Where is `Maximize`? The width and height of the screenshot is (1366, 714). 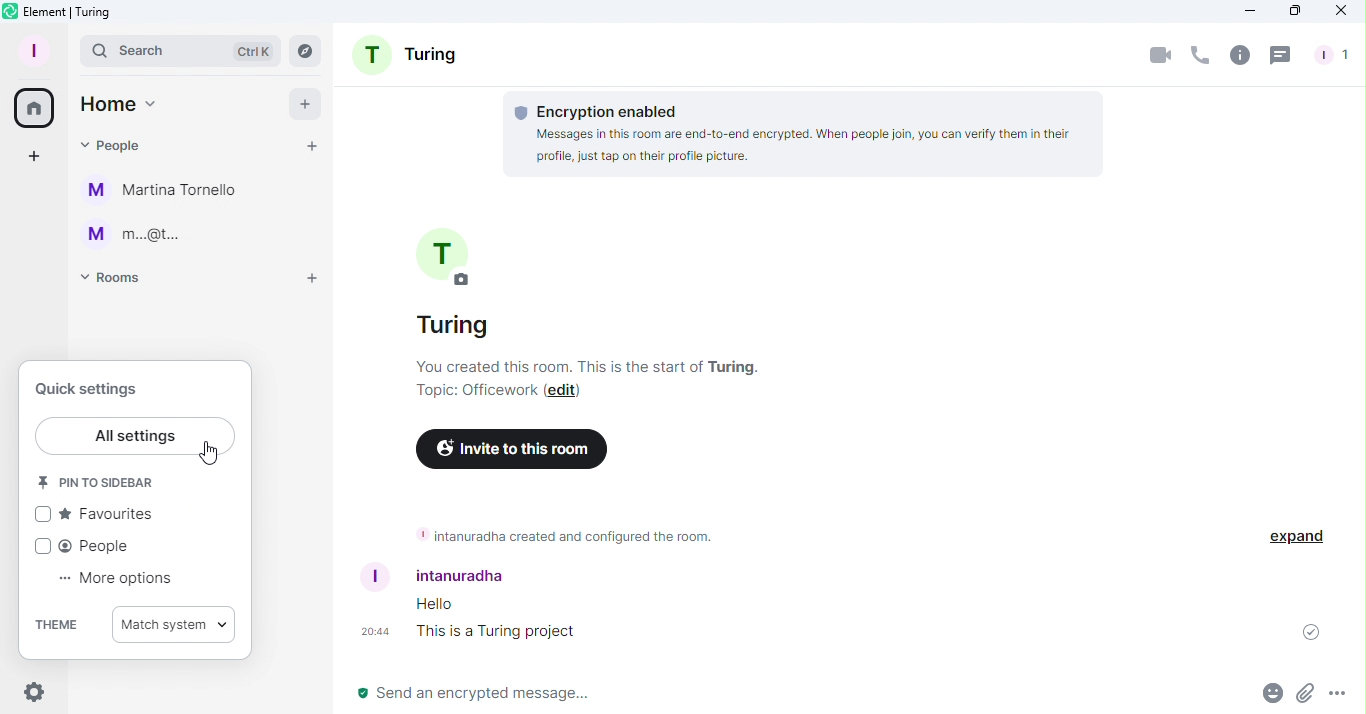 Maximize is located at coordinates (1292, 11).